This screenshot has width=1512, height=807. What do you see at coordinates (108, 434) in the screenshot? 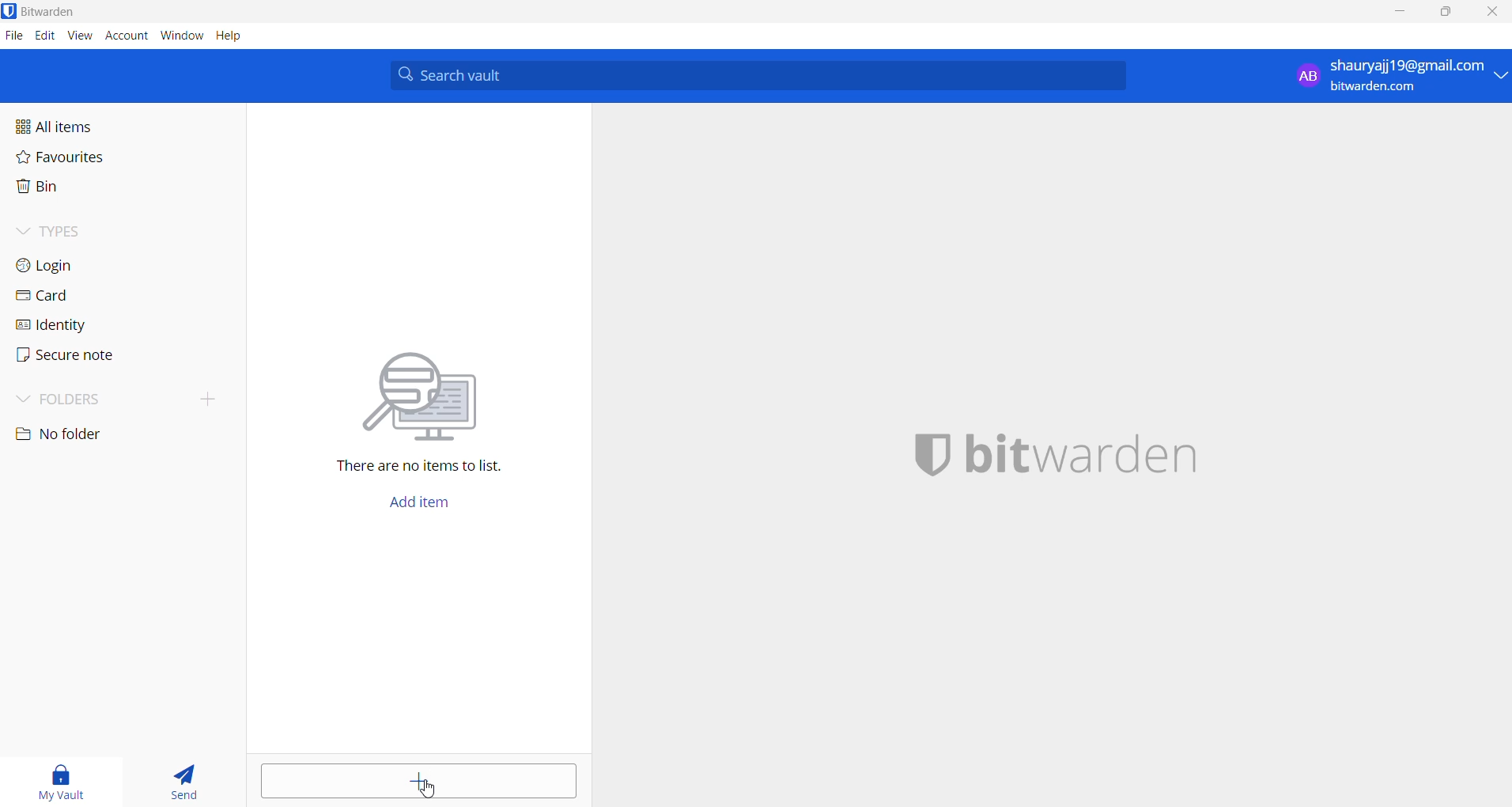
I see `no folder` at bounding box center [108, 434].